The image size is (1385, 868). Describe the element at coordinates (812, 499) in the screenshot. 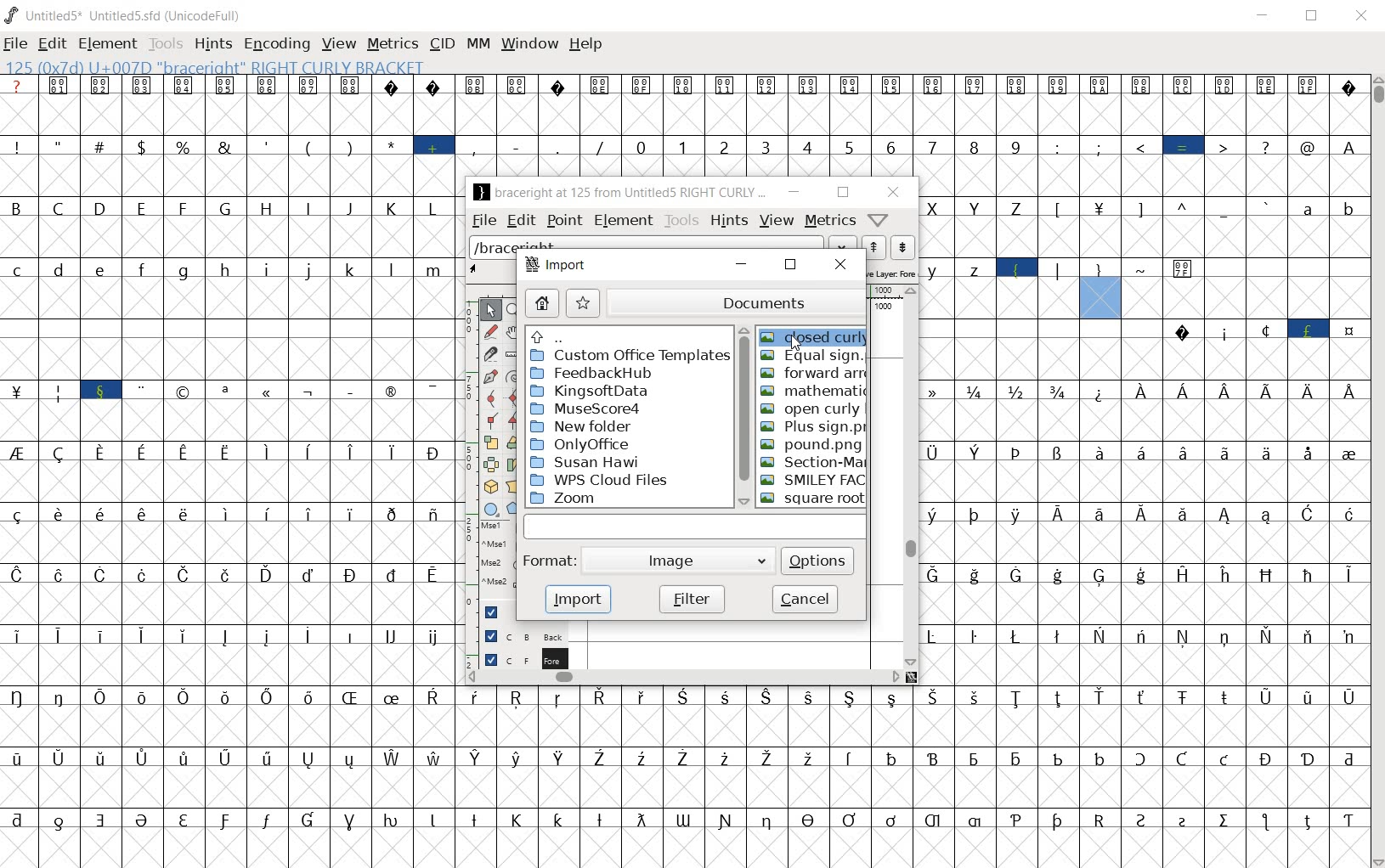

I see `Square root` at that location.